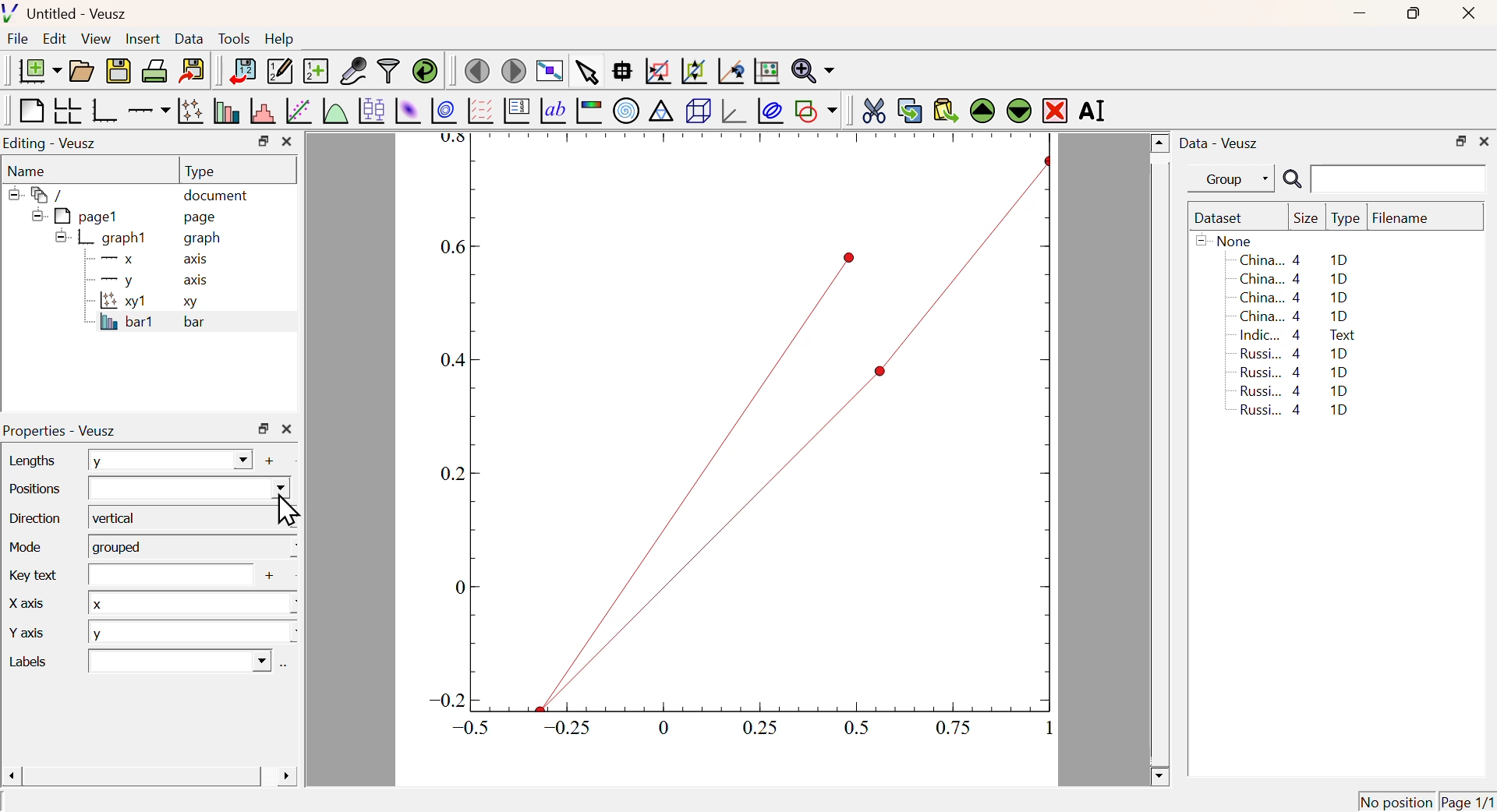 Image resolution: width=1497 pixels, height=812 pixels. What do you see at coordinates (478, 110) in the screenshot?
I see `Plot Vector Field` at bounding box center [478, 110].